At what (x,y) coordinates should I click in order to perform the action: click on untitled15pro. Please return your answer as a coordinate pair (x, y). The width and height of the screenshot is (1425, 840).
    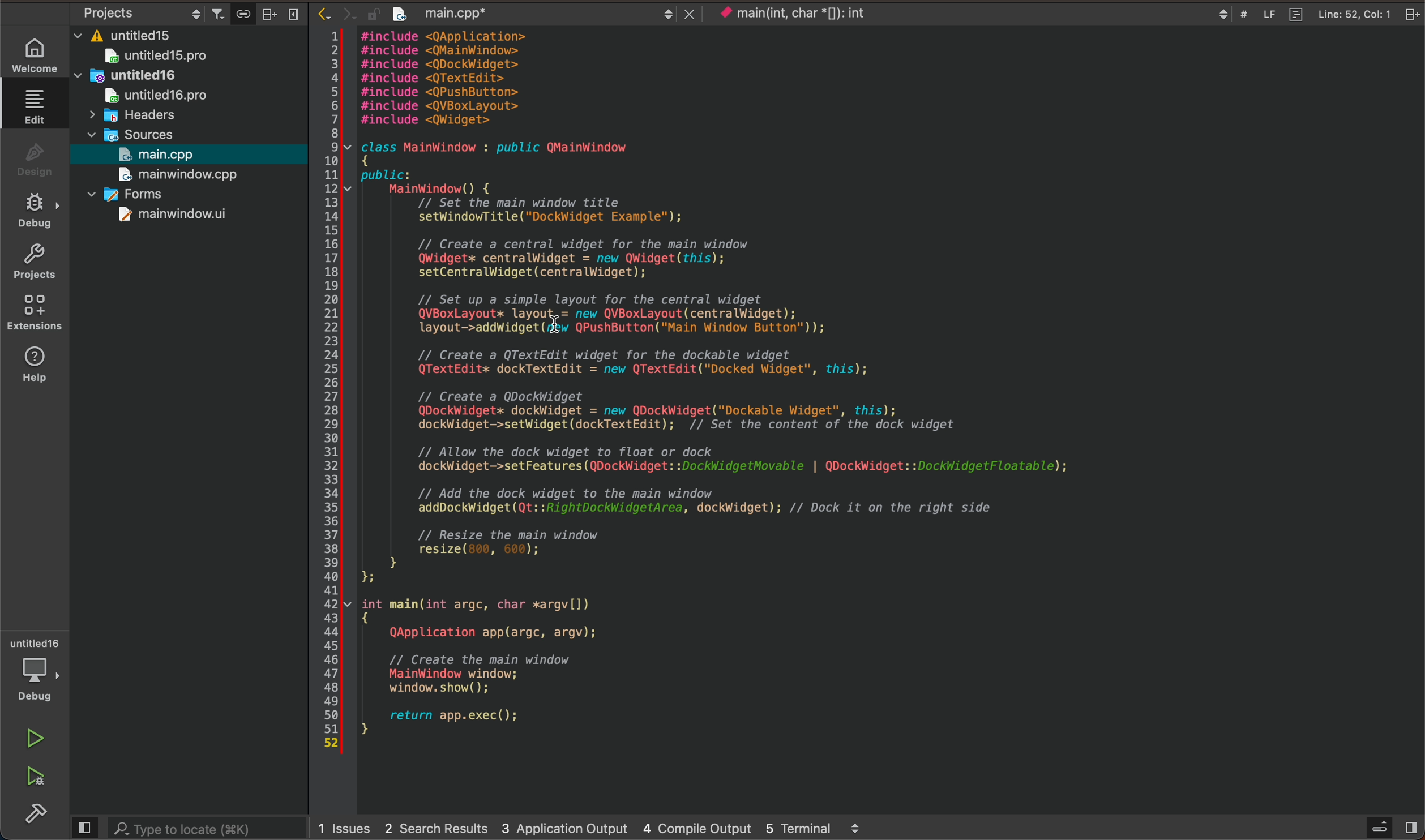
    Looking at the image, I should click on (158, 57).